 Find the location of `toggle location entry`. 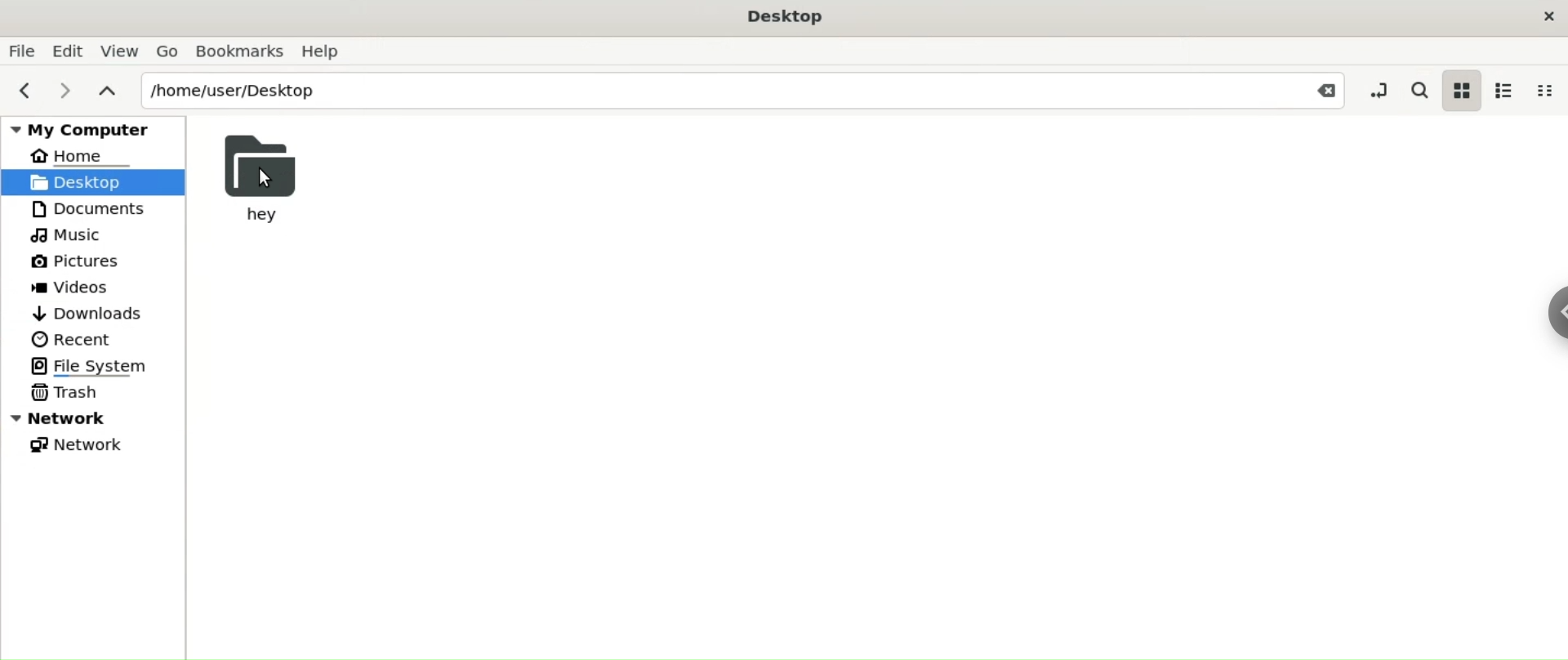

toggle location entry is located at coordinates (1379, 91).